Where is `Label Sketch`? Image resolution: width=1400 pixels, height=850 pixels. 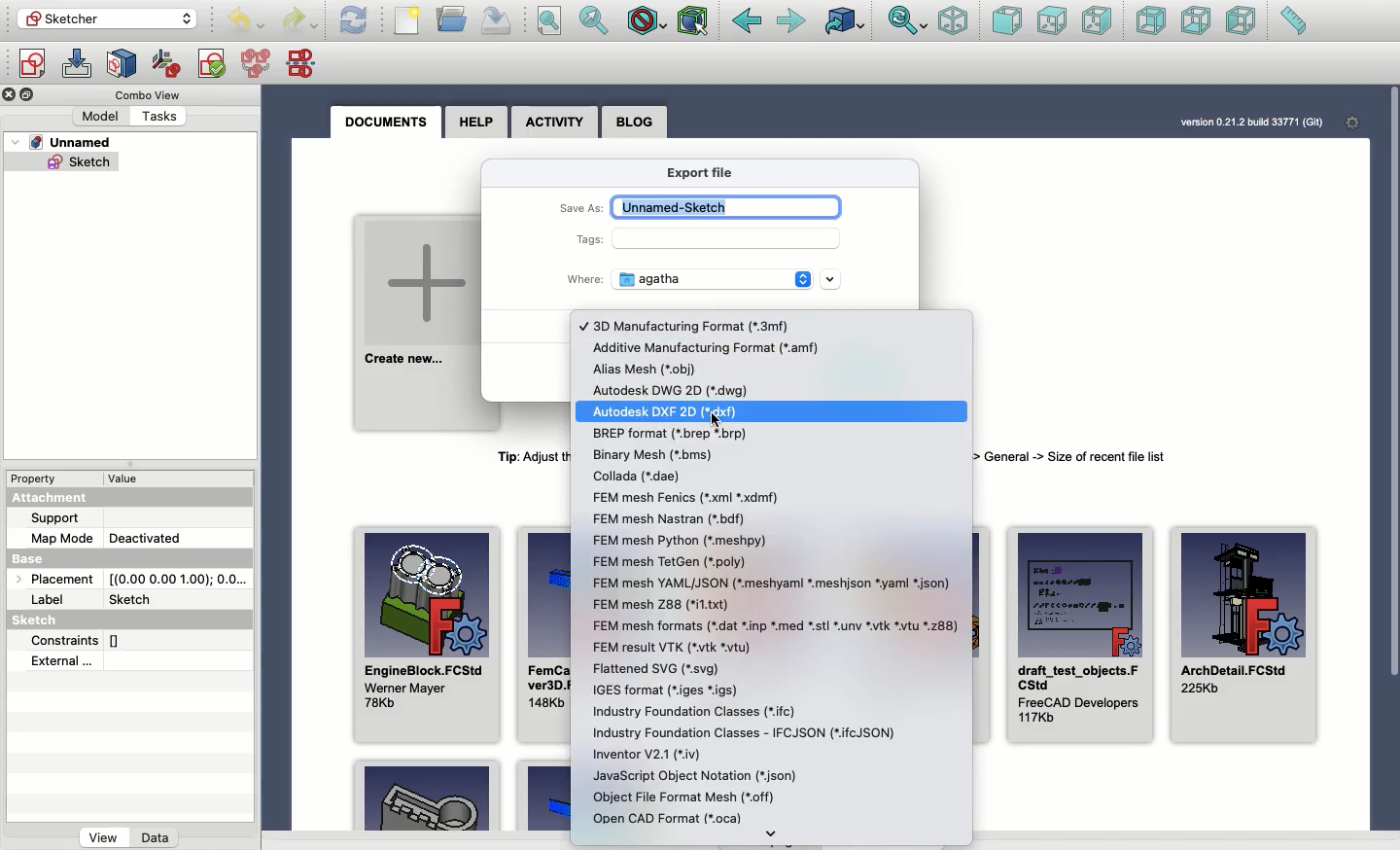
Label Sketch is located at coordinates (101, 600).